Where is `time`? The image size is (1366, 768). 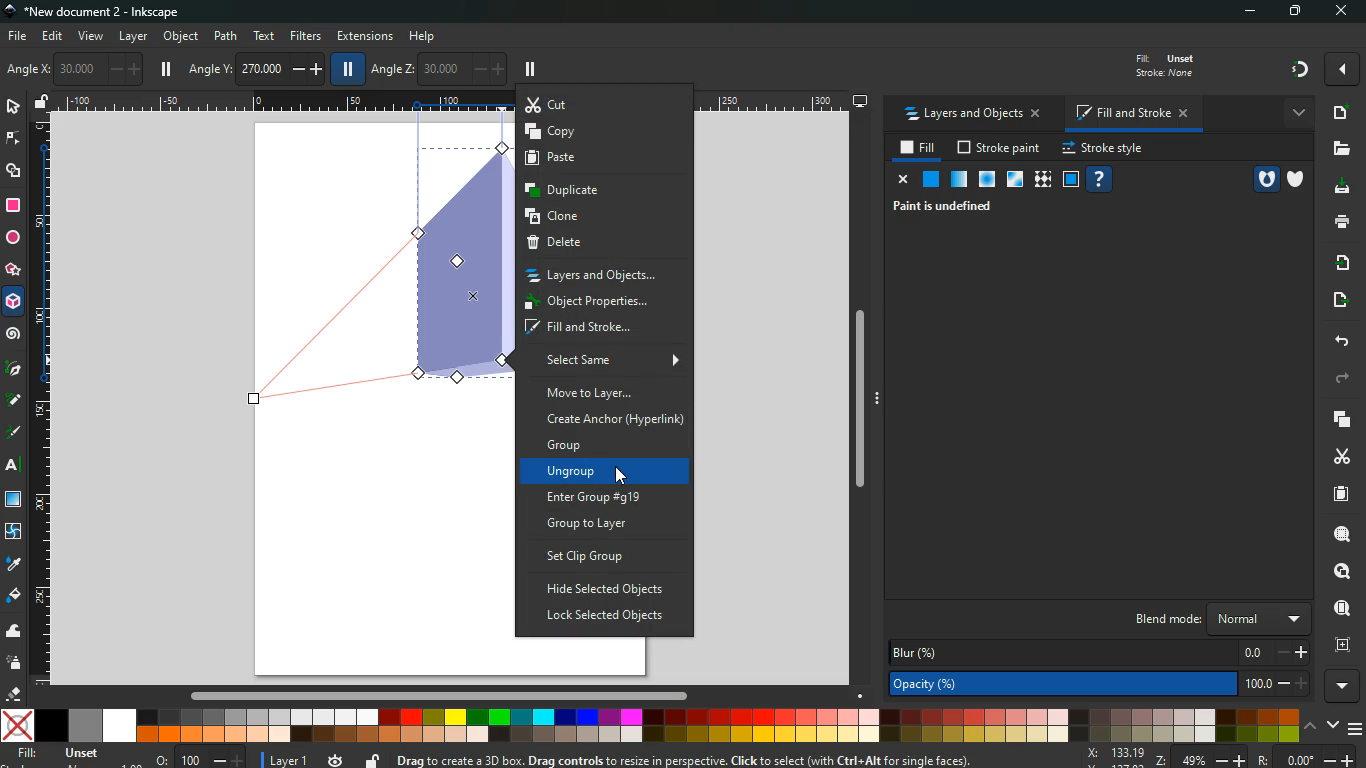 time is located at coordinates (336, 756).